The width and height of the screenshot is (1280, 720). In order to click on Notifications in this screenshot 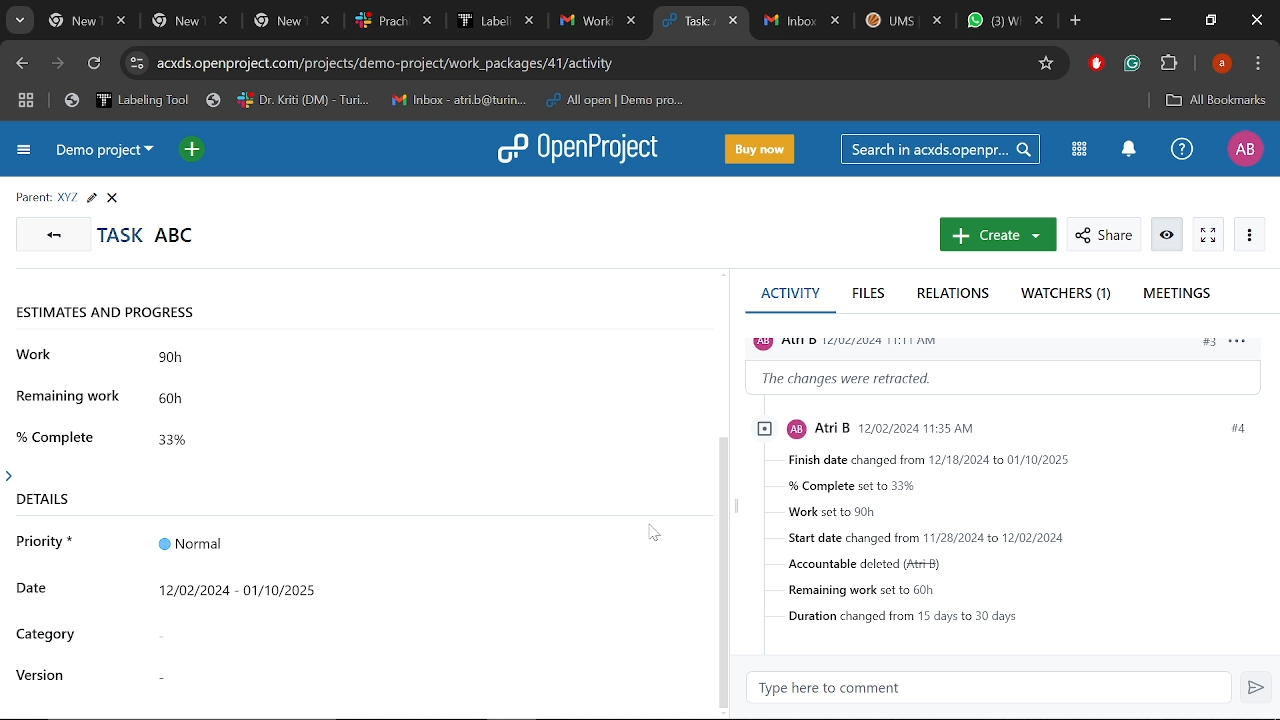, I will do `click(1128, 150)`.